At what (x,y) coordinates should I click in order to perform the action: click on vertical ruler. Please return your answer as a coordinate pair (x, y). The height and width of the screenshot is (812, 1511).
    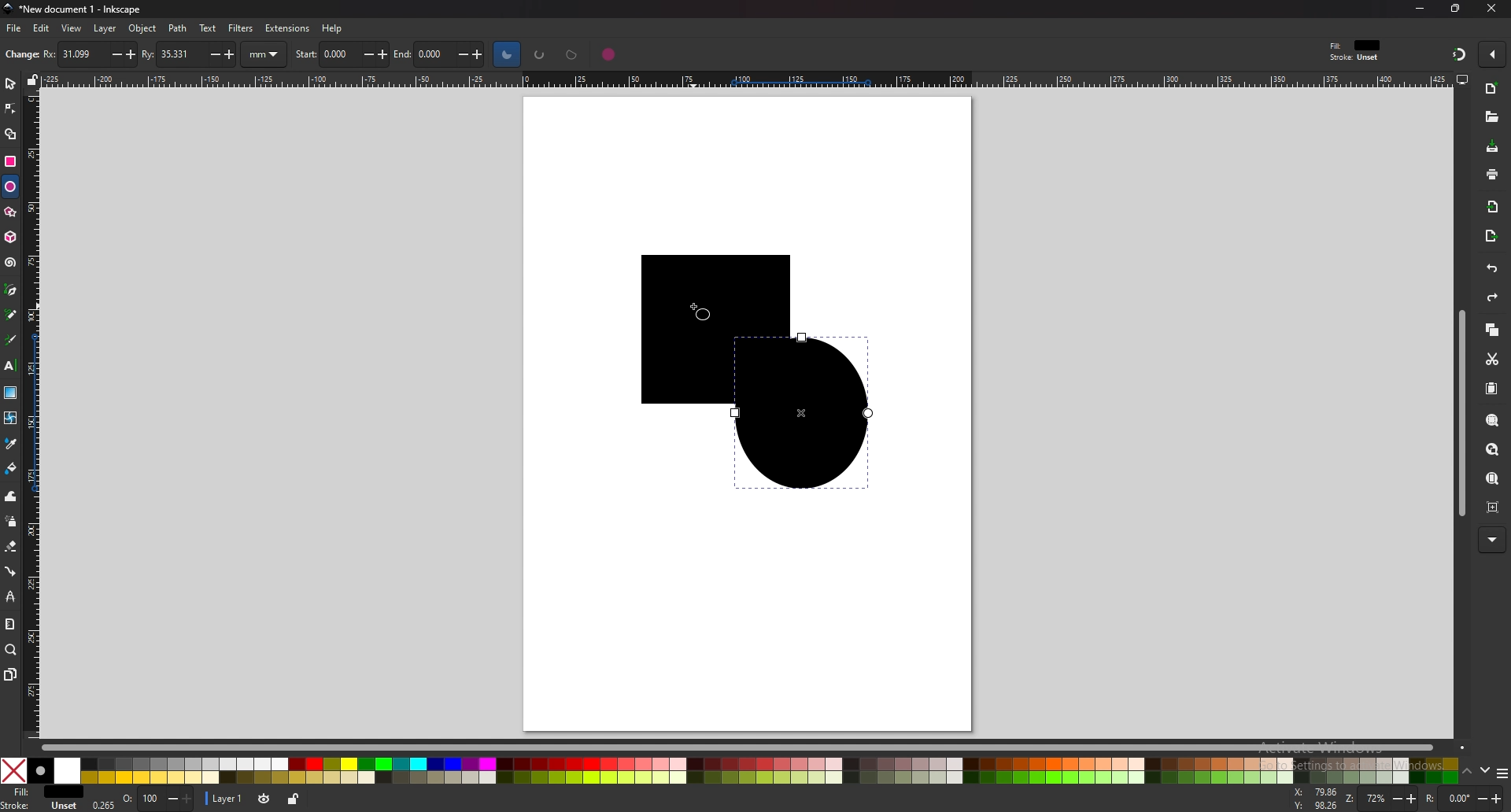
    Looking at the image, I should click on (35, 413).